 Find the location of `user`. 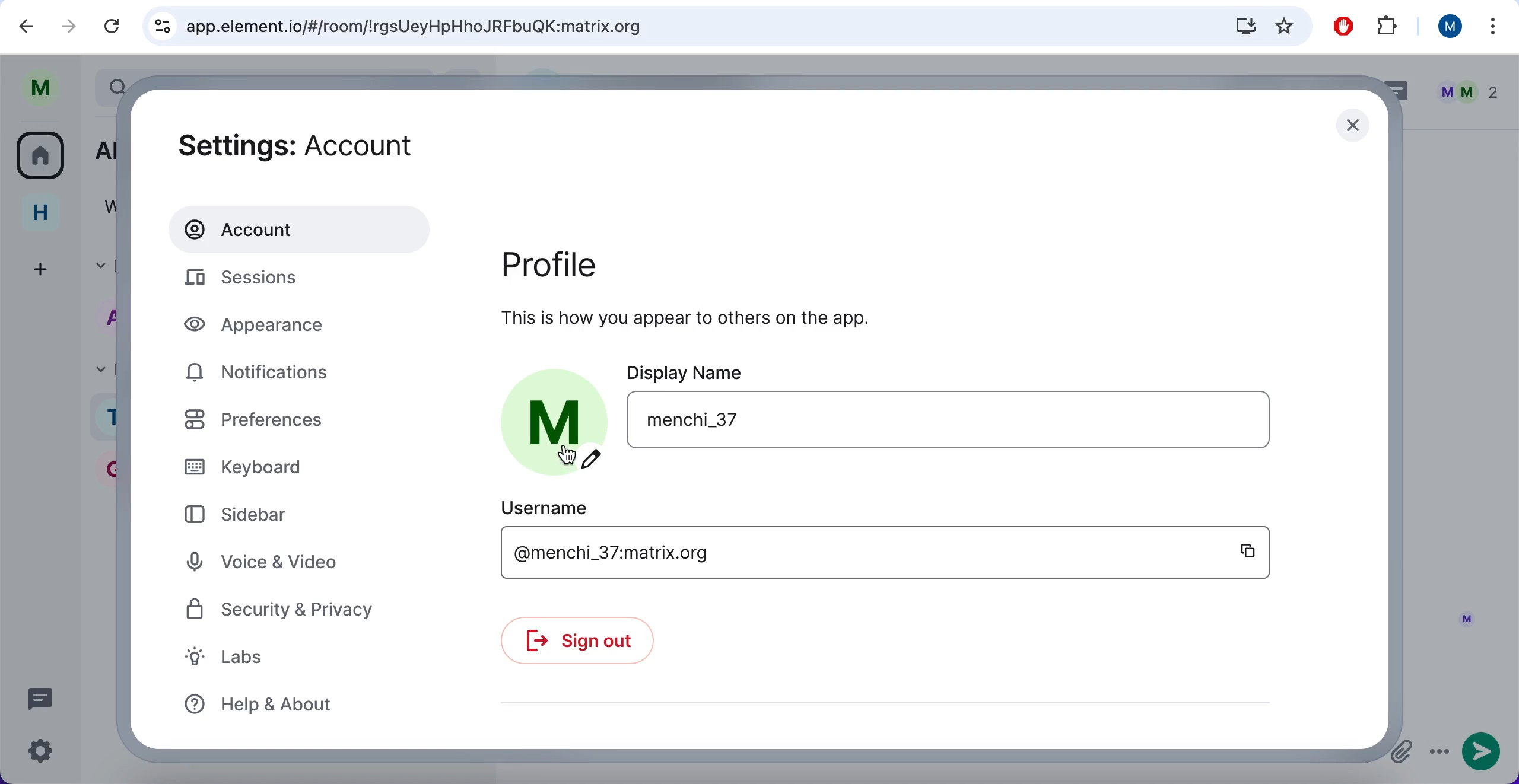

user is located at coordinates (989, 424).